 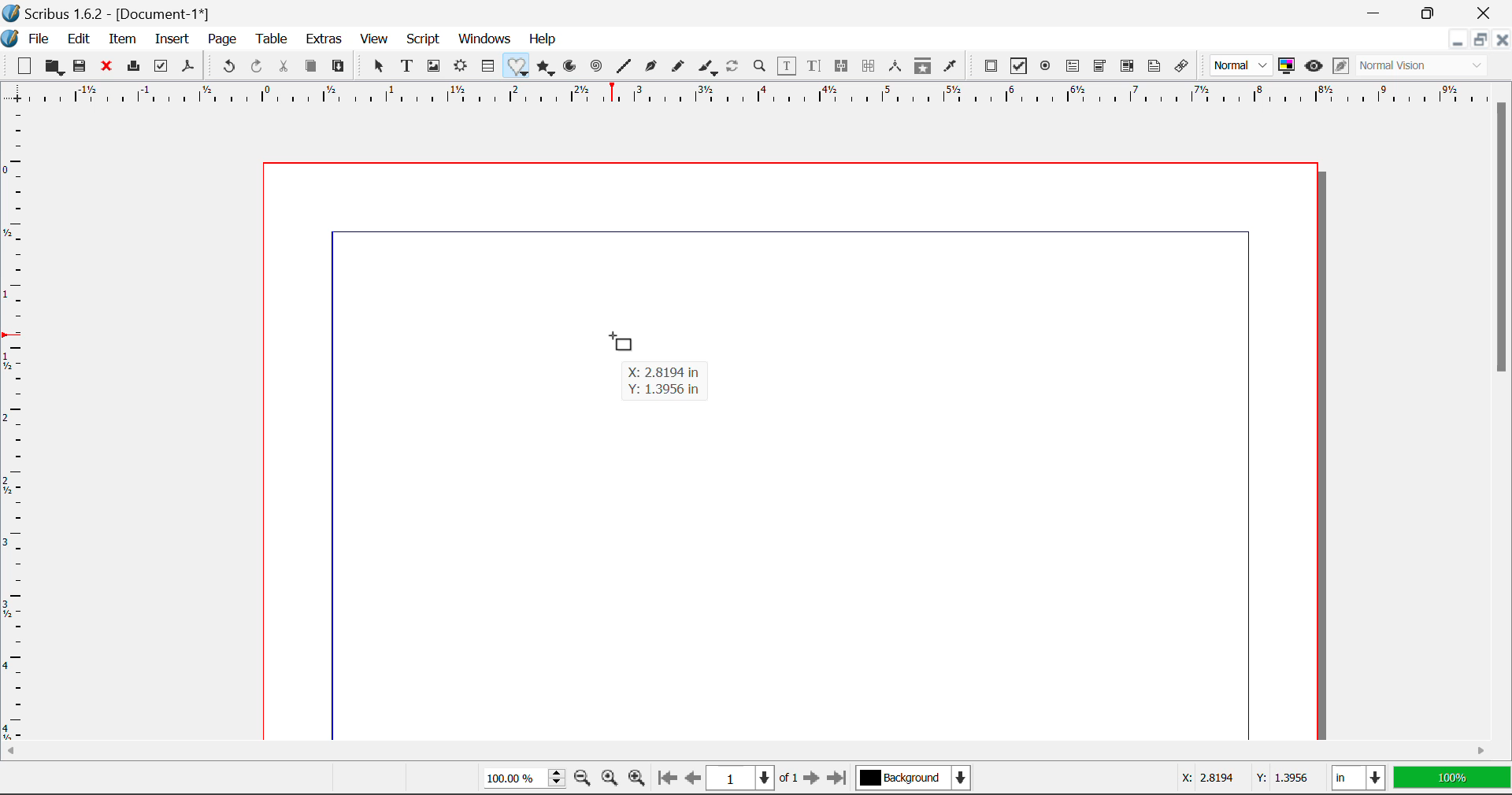 I want to click on Polygons, so click(x=547, y=68).